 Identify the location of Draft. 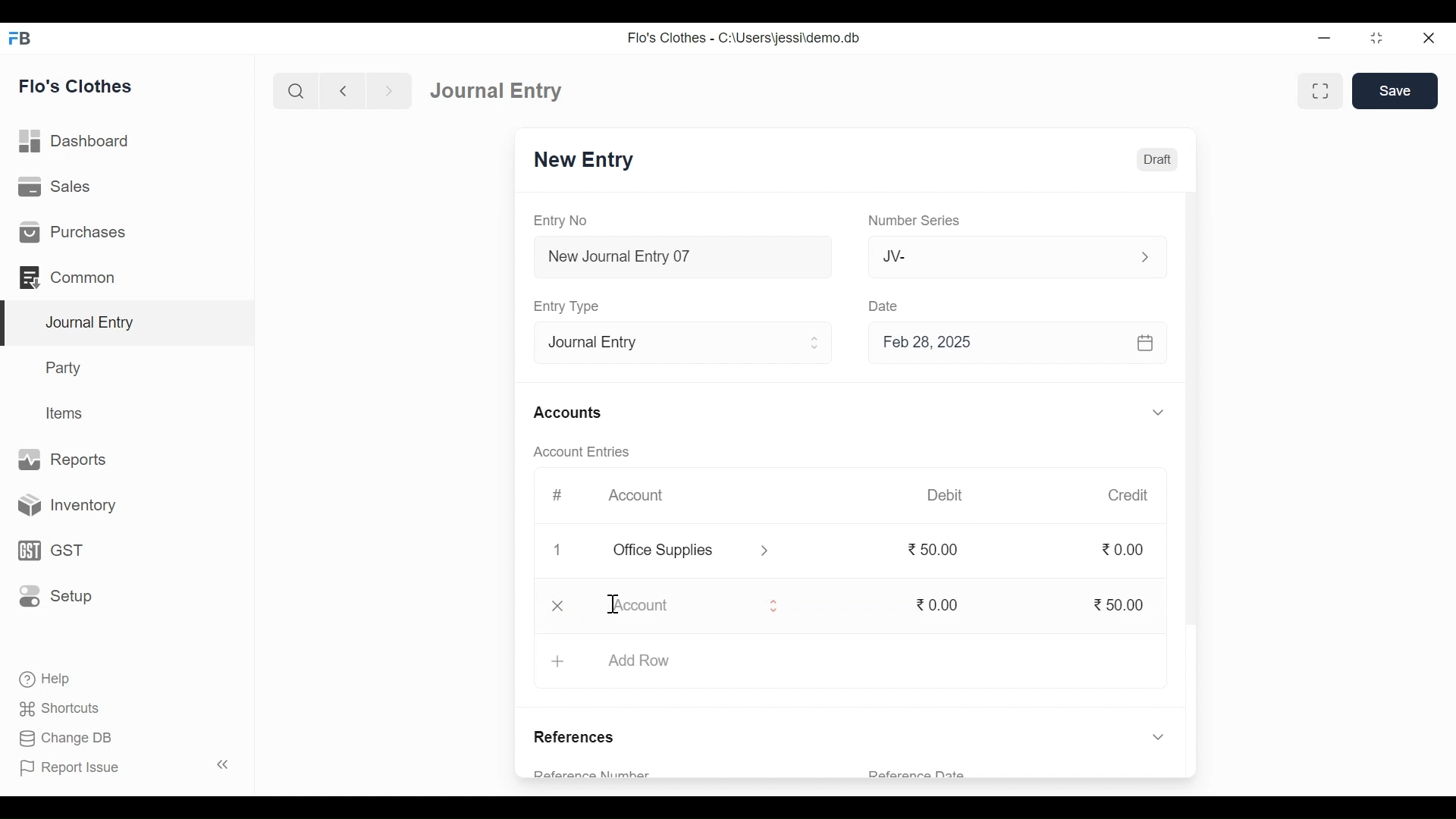
(1154, 160).